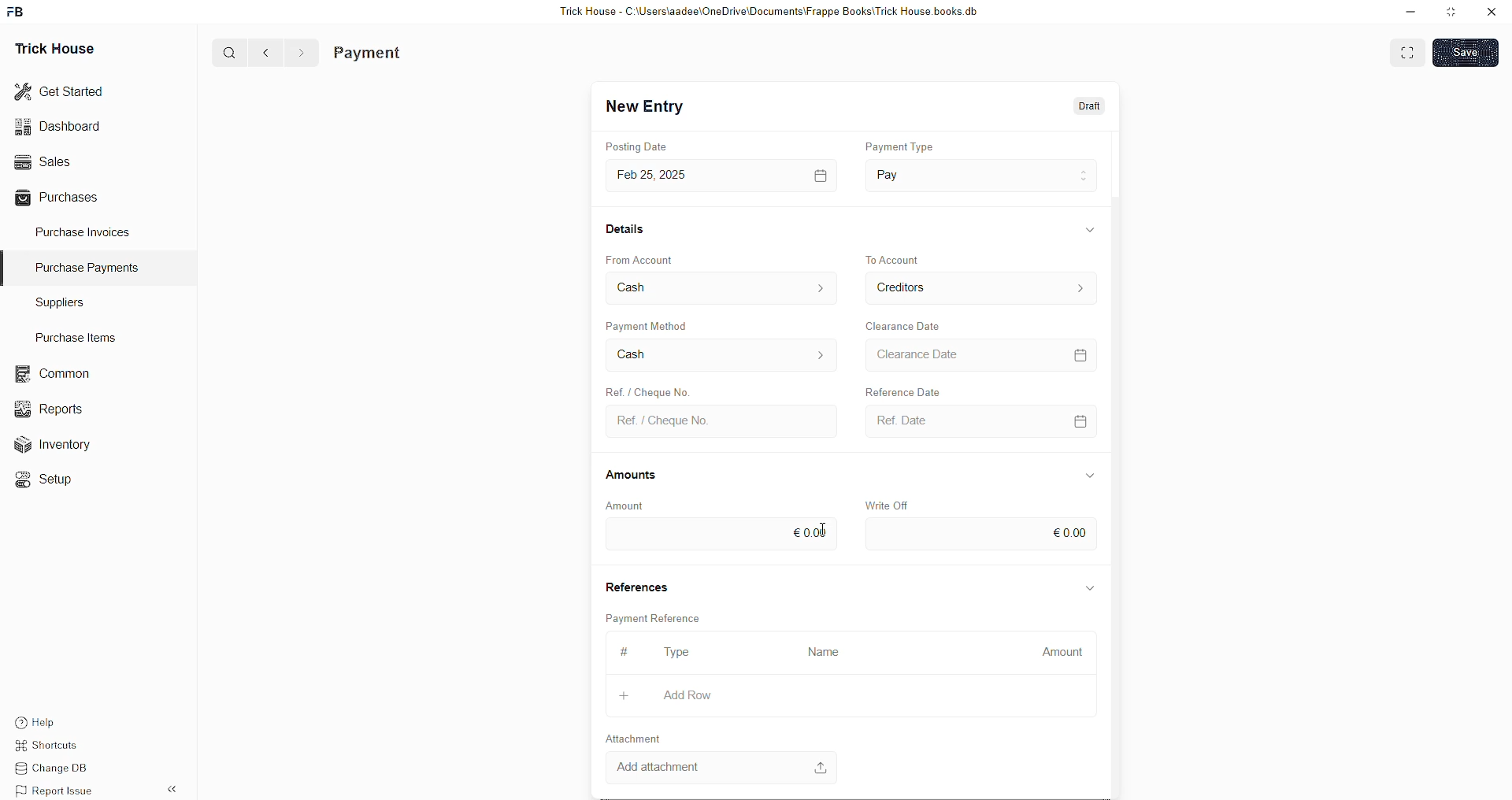  I want to click on New Entry, so click(649, 107).